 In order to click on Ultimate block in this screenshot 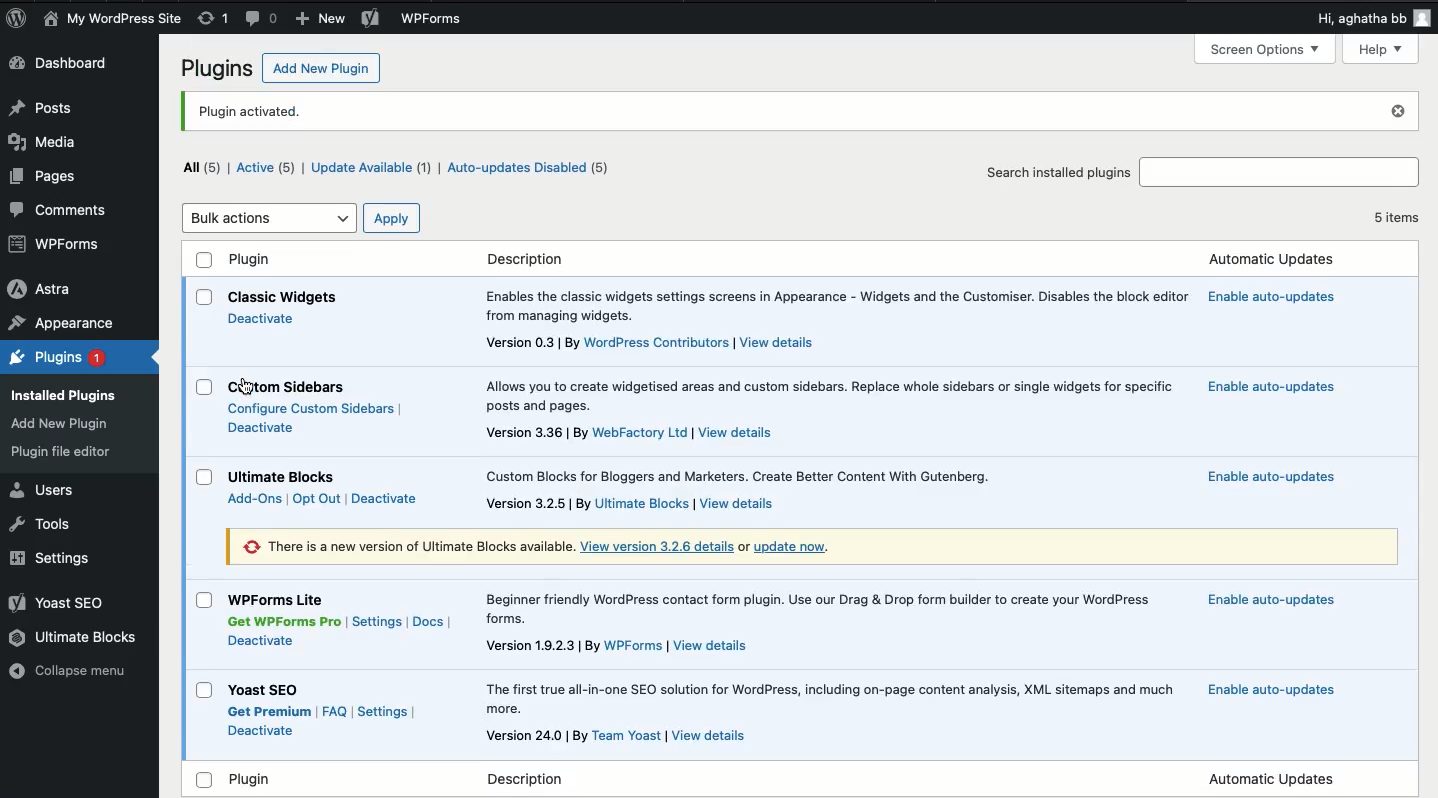, I will do `click(282, 476)`.